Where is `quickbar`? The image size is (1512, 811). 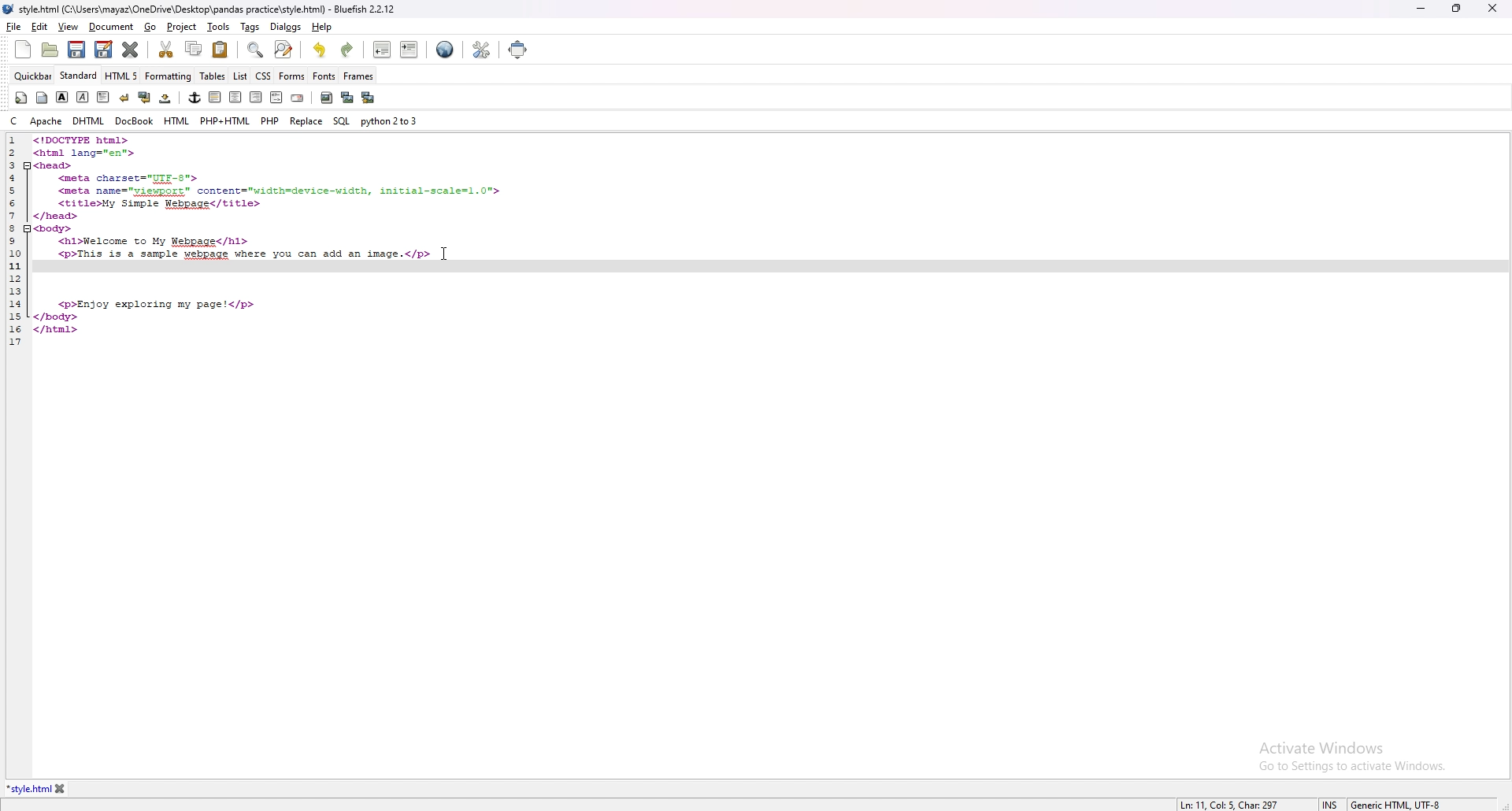
quickbar is located at coordinates (32, 76).